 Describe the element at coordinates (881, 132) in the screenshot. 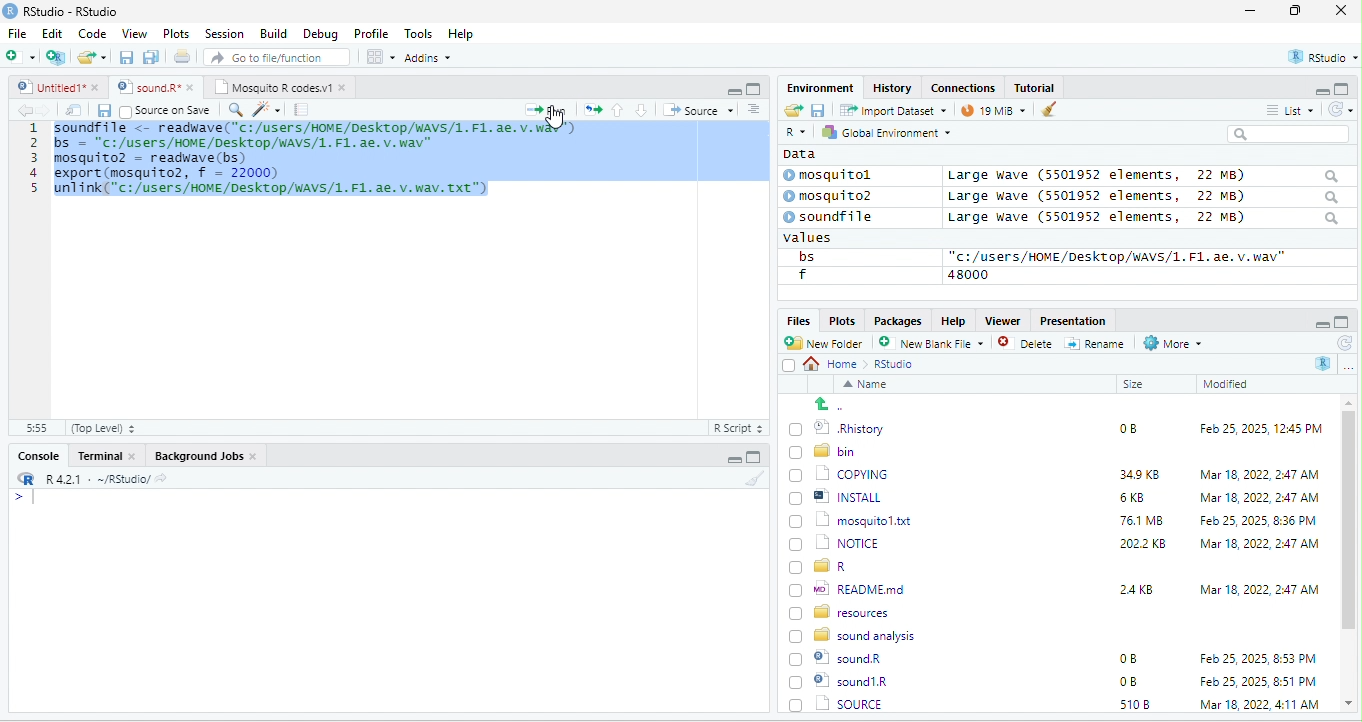

I see `hy Global Environment ~` at that location.